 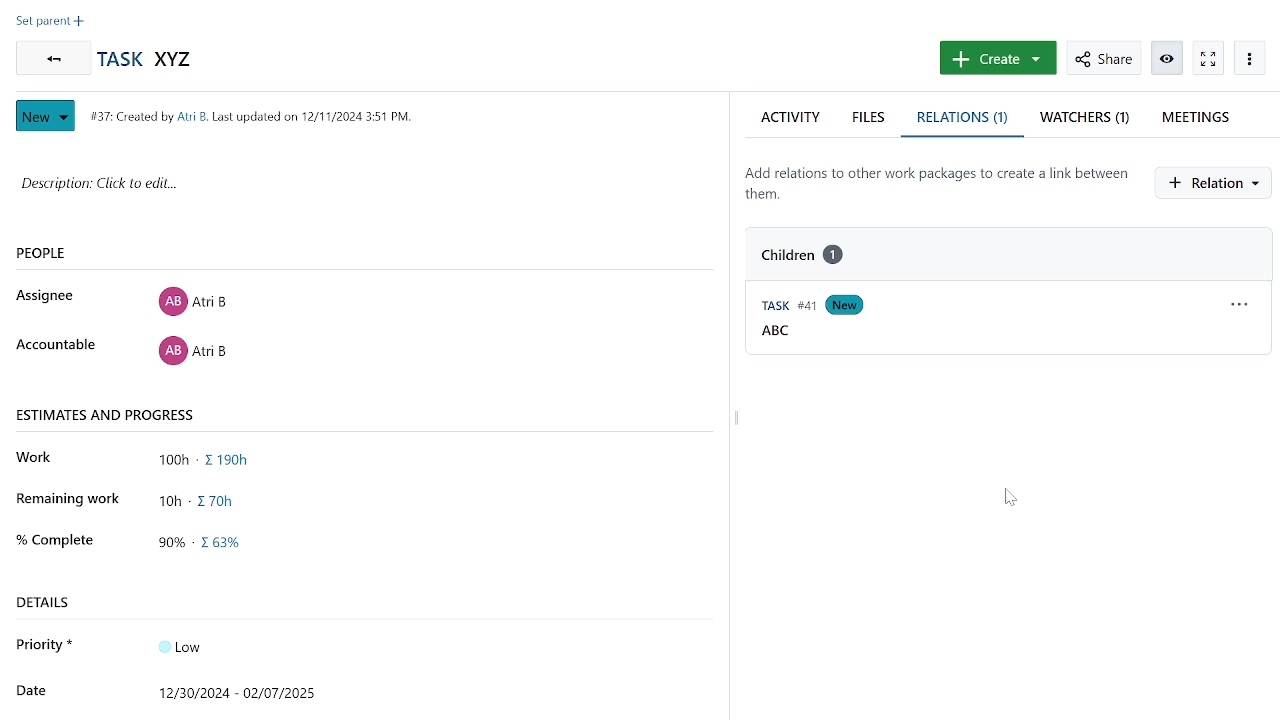 I want to click on priority*, so click(x=46, y=644).